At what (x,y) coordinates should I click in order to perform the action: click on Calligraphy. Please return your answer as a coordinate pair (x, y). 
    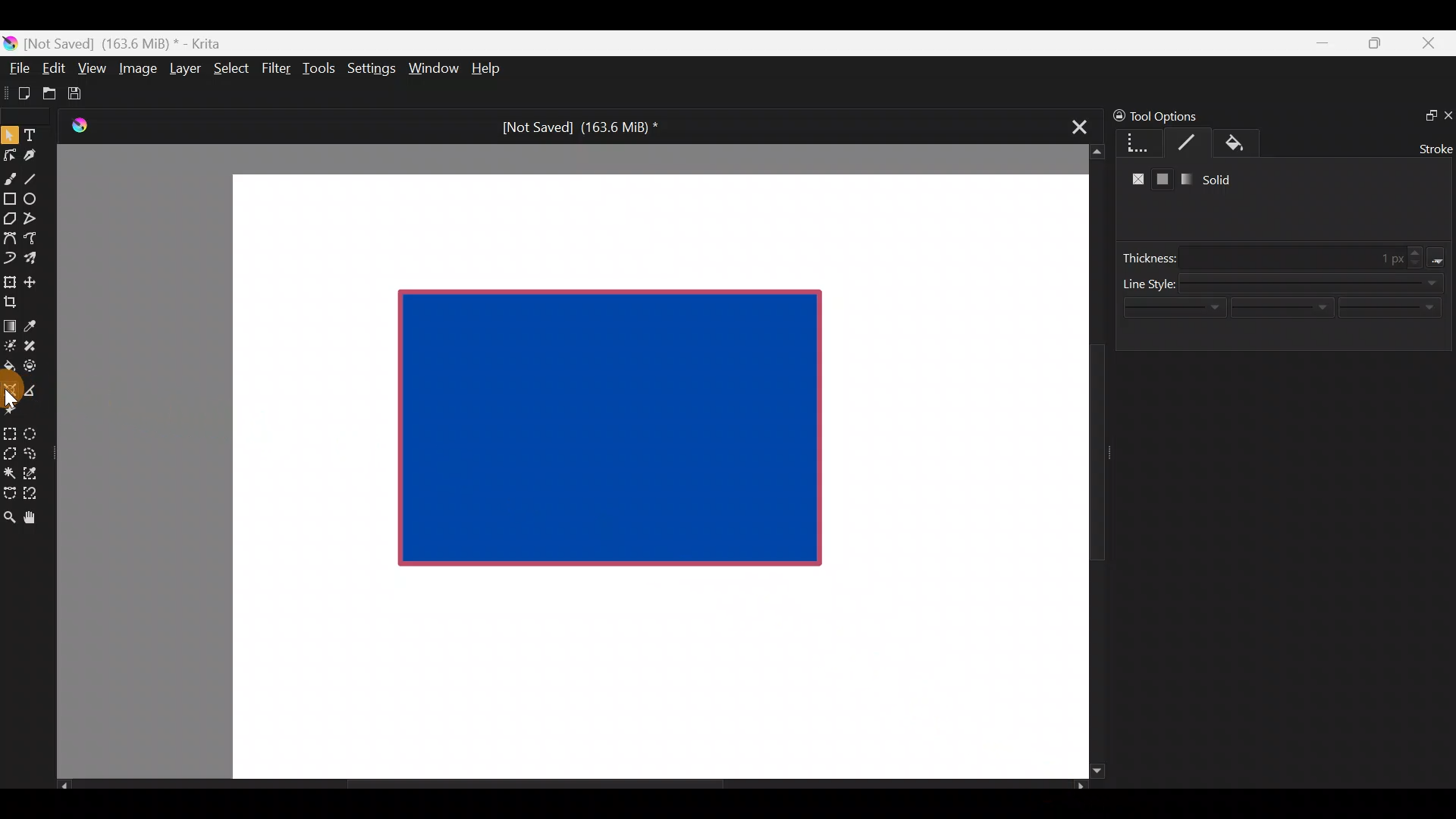
    Looking at the image, I should click on (41, 158).